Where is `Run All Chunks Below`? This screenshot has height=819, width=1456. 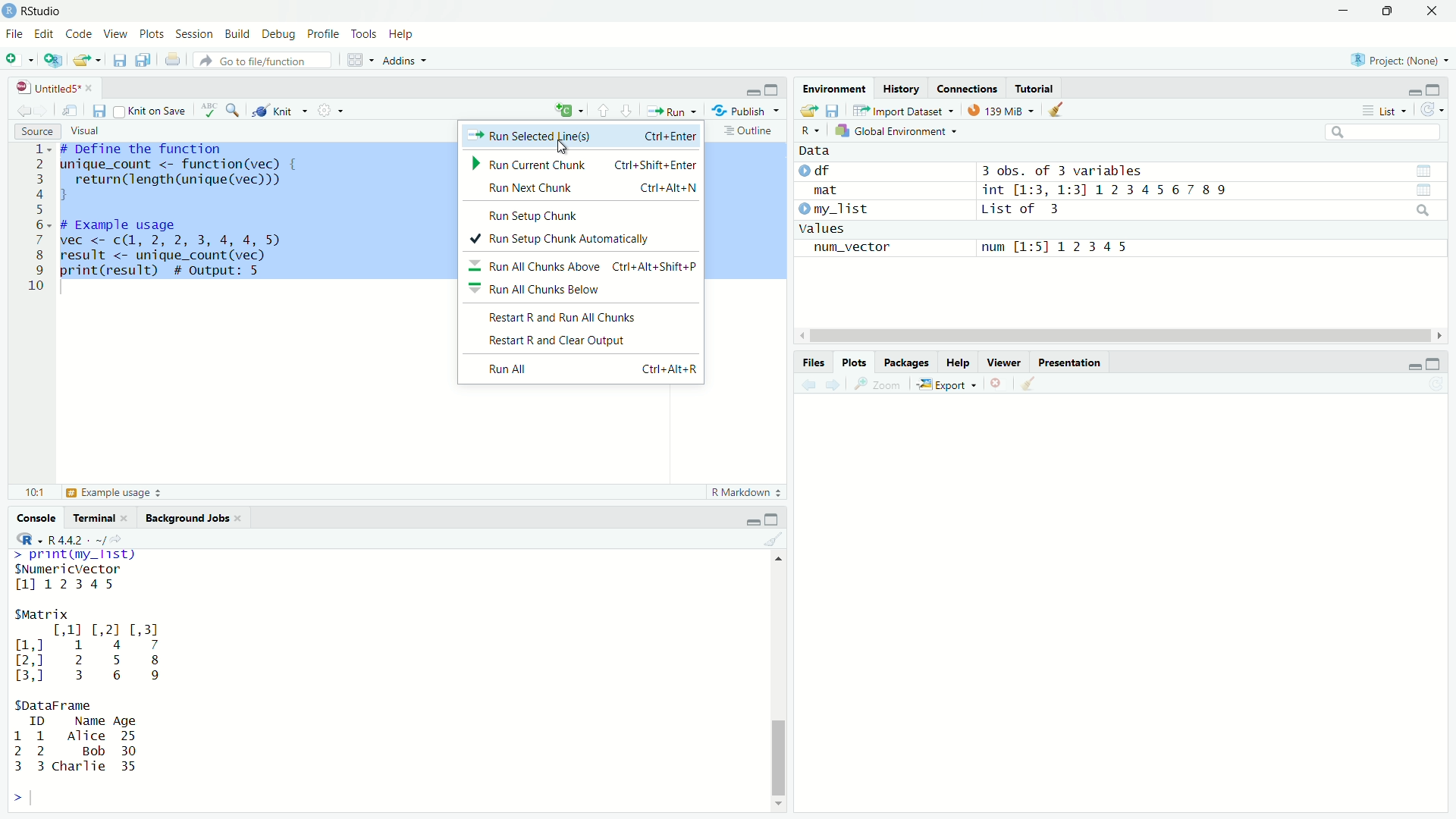 Run All Chunks Below is located at coordinates (533, 290).